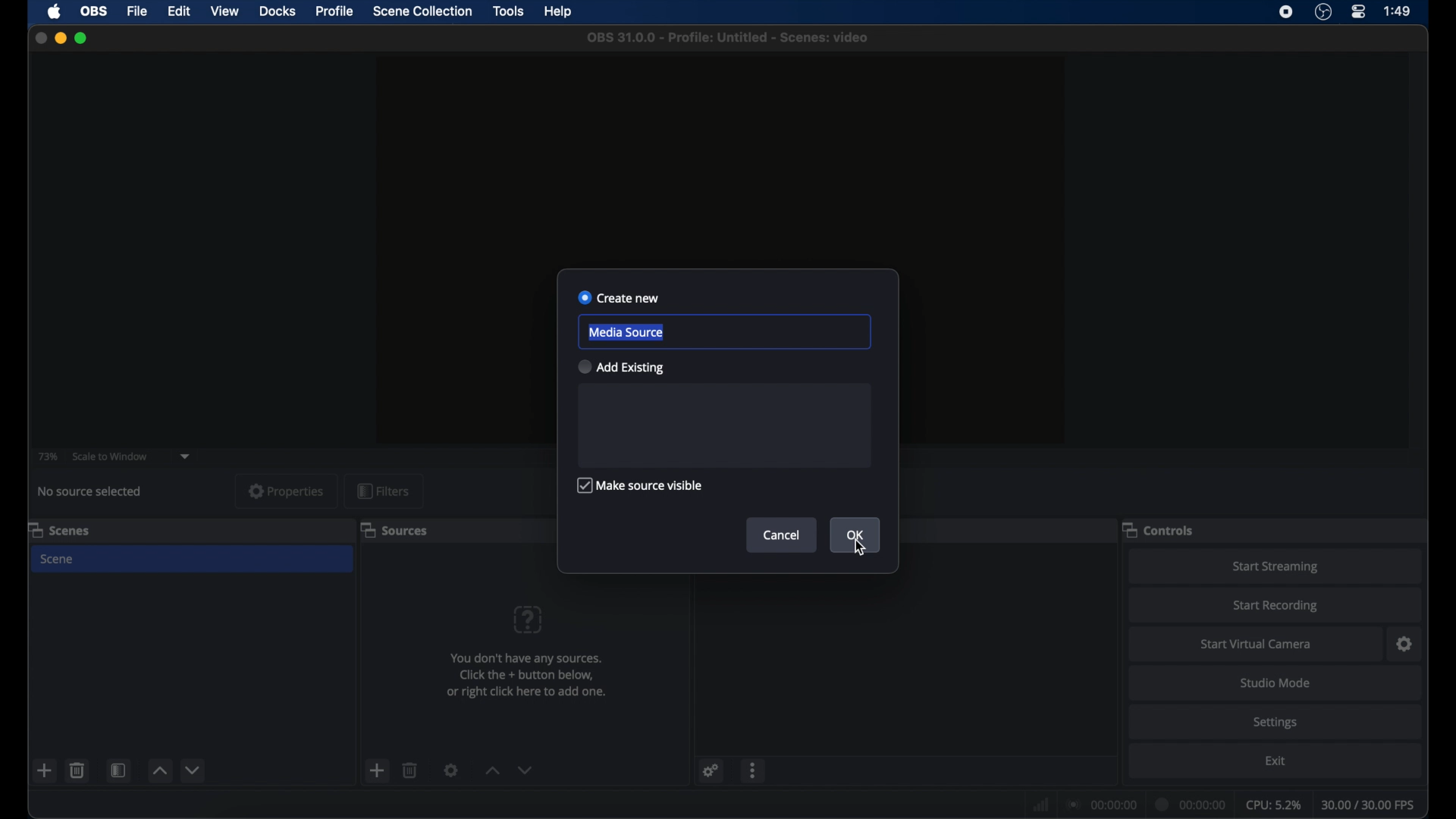  What do you see at coordinates (83, 38) in the screenshot?
I see `maximize` at bounding box center [83, 38].